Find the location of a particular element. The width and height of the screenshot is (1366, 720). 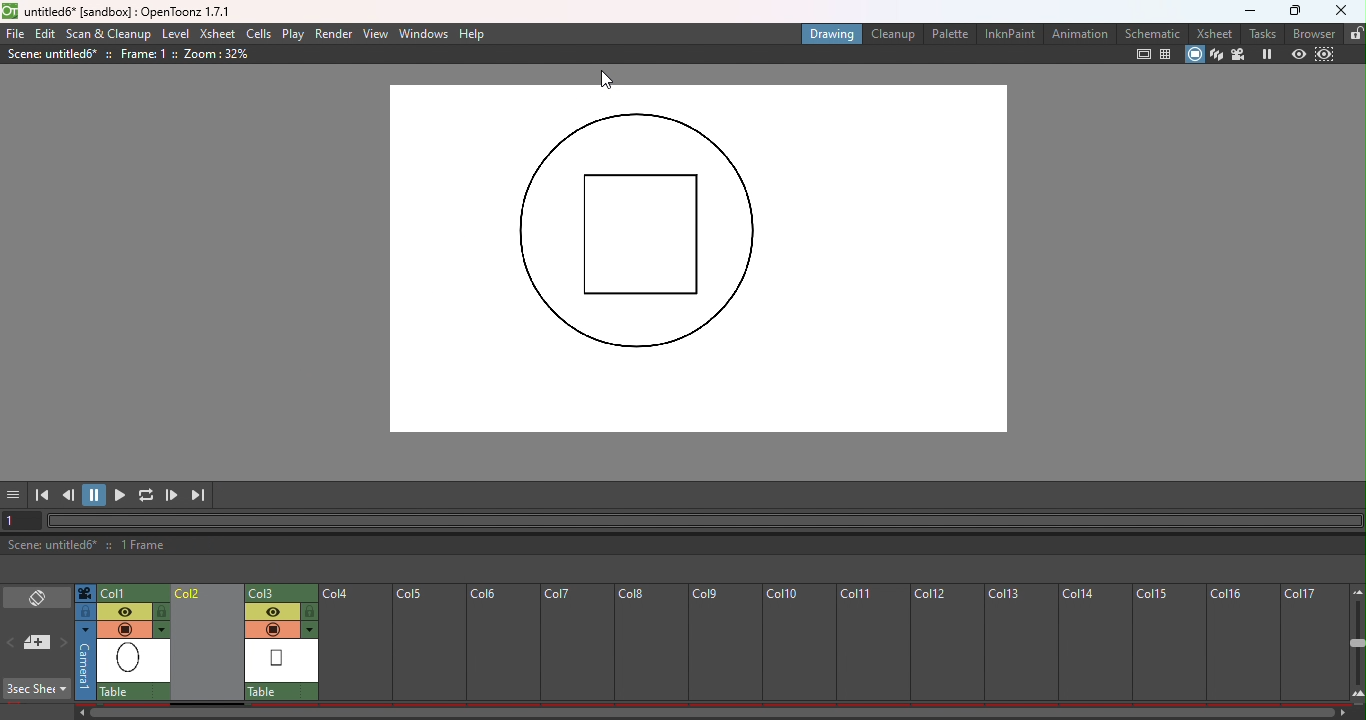

Play is located at coordinates (296, 34).